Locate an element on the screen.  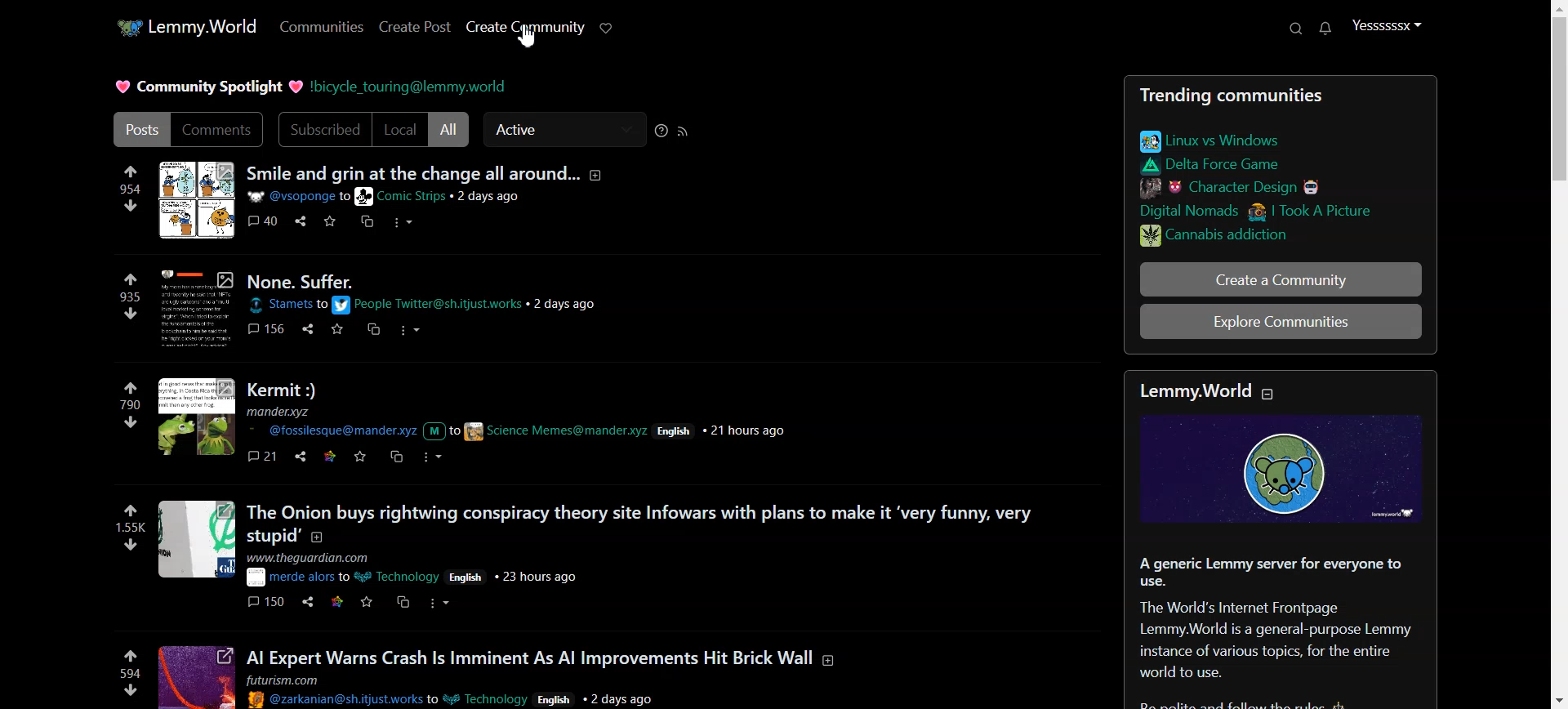
upvote is located at coordinates (132, 387).